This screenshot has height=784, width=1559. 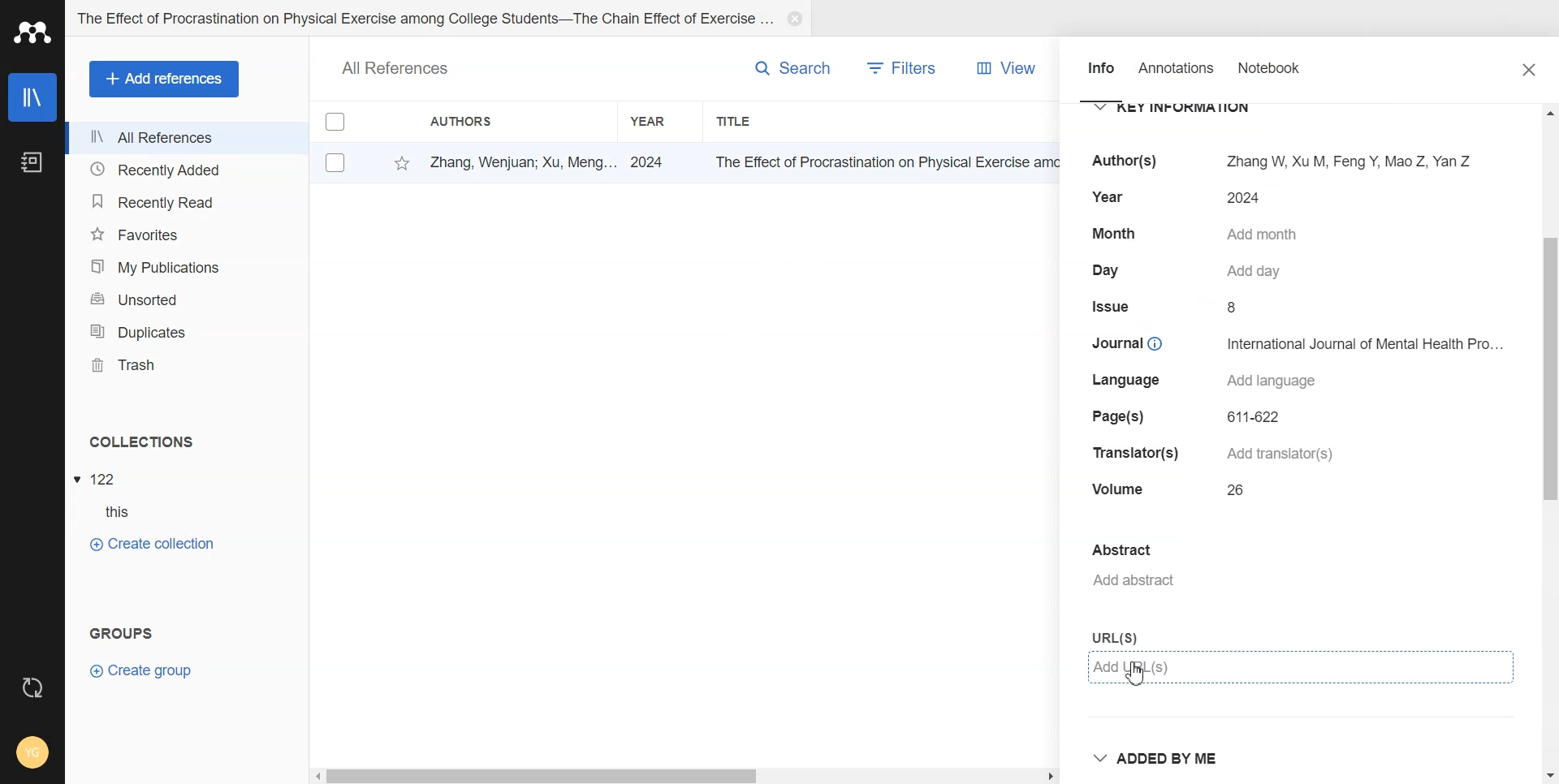 I want to click on Page(s) 611-622, so click(x=1190, y=416).